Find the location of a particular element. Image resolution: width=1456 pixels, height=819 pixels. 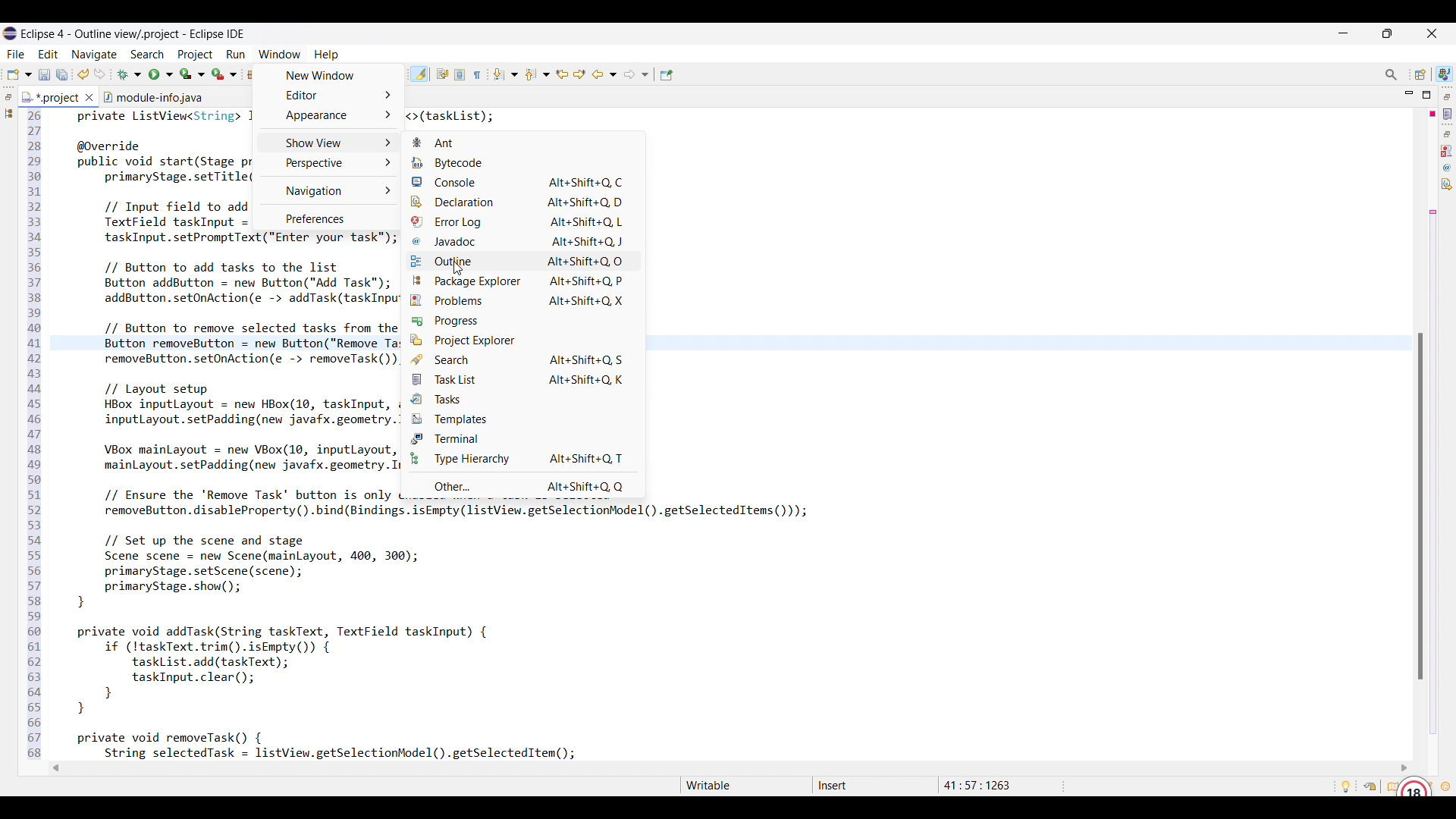

Project menu is located at coordinates (196, 55).